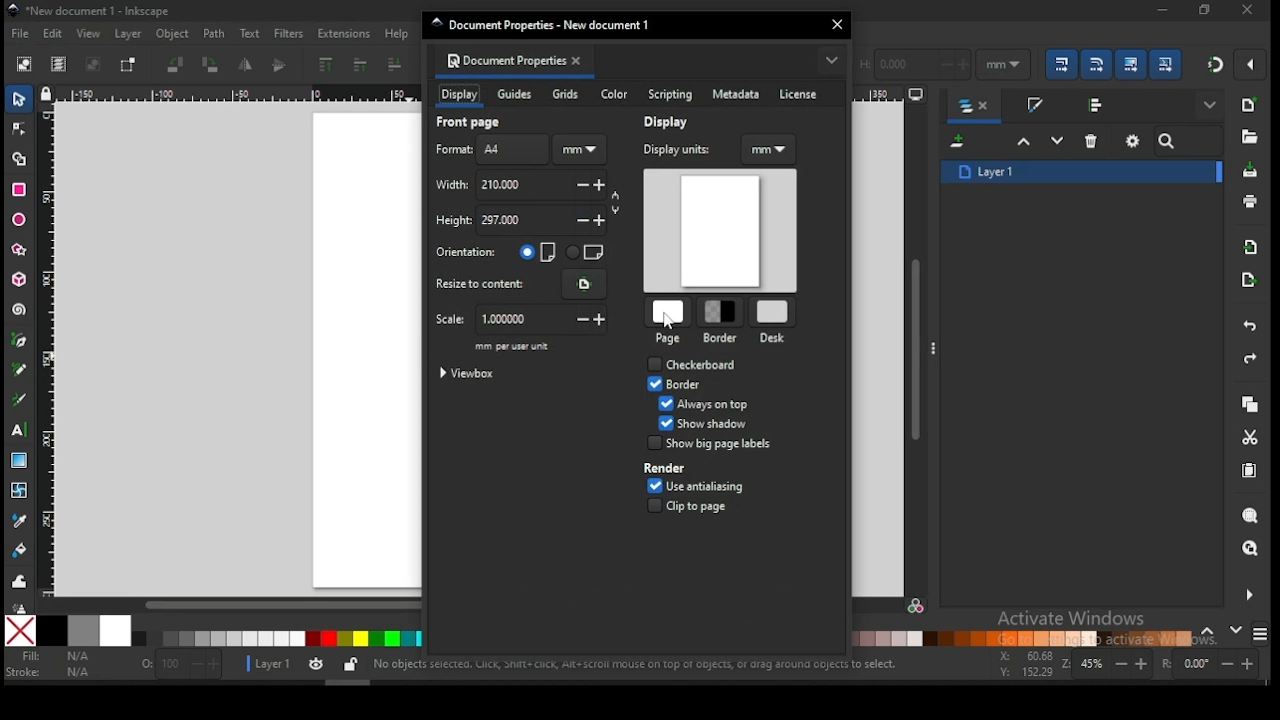  Describe the element at coordinates (664, 468) in the screenshot. I see `border` at that location.